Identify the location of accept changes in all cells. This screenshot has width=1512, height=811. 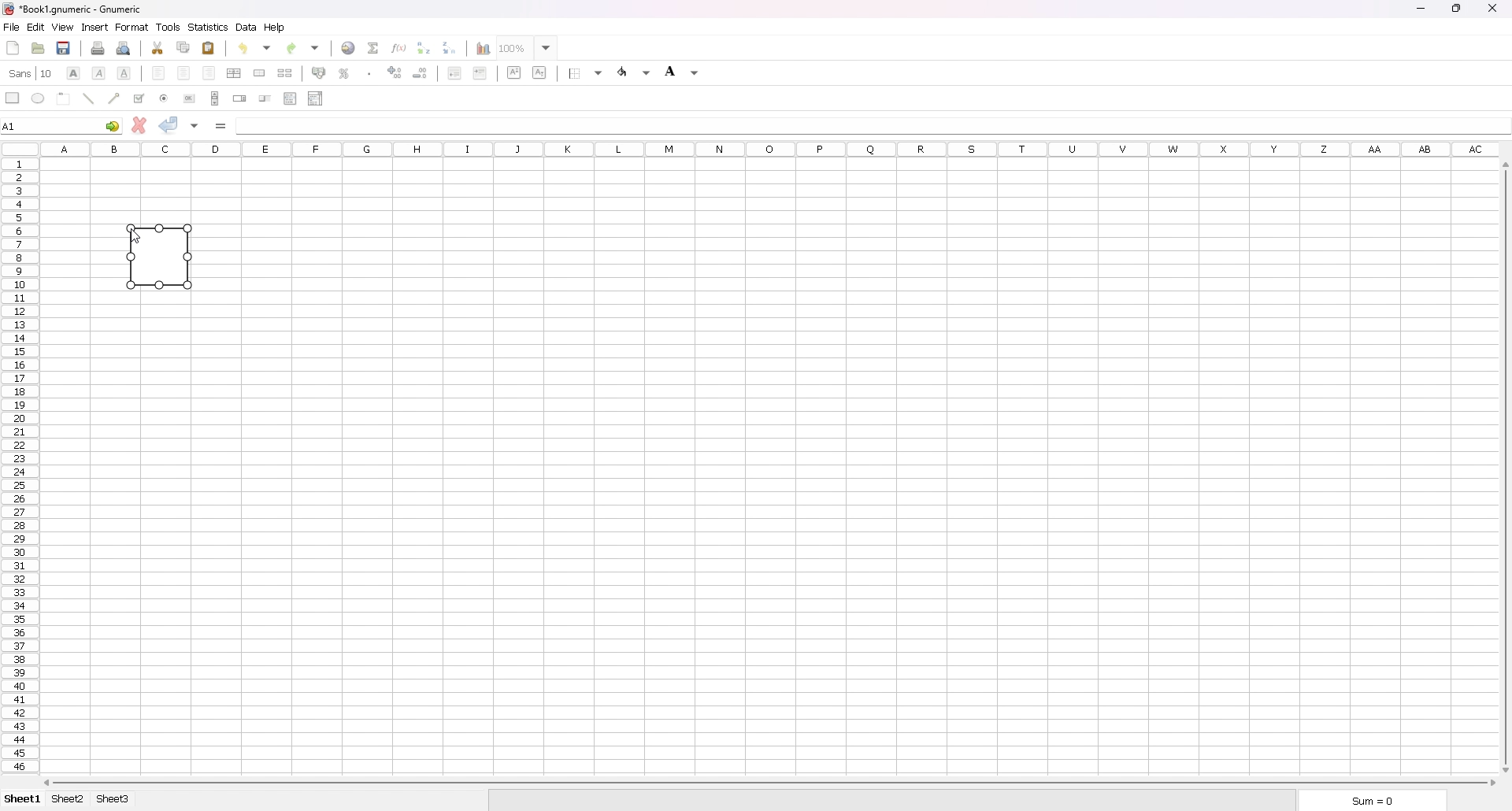
(197, 126).